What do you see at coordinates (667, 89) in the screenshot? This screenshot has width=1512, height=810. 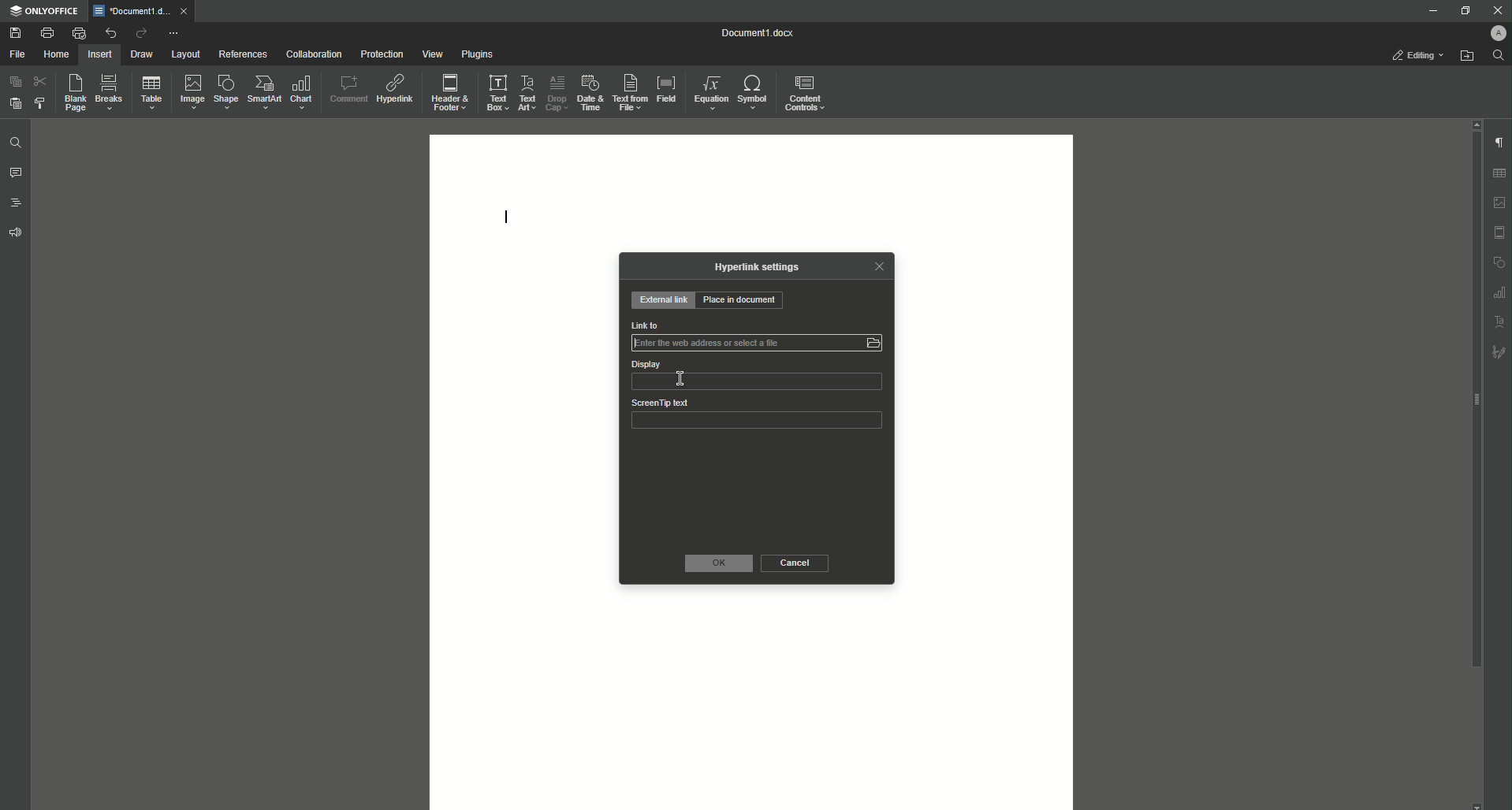 I see `Field` at bounding box center [667, 89].